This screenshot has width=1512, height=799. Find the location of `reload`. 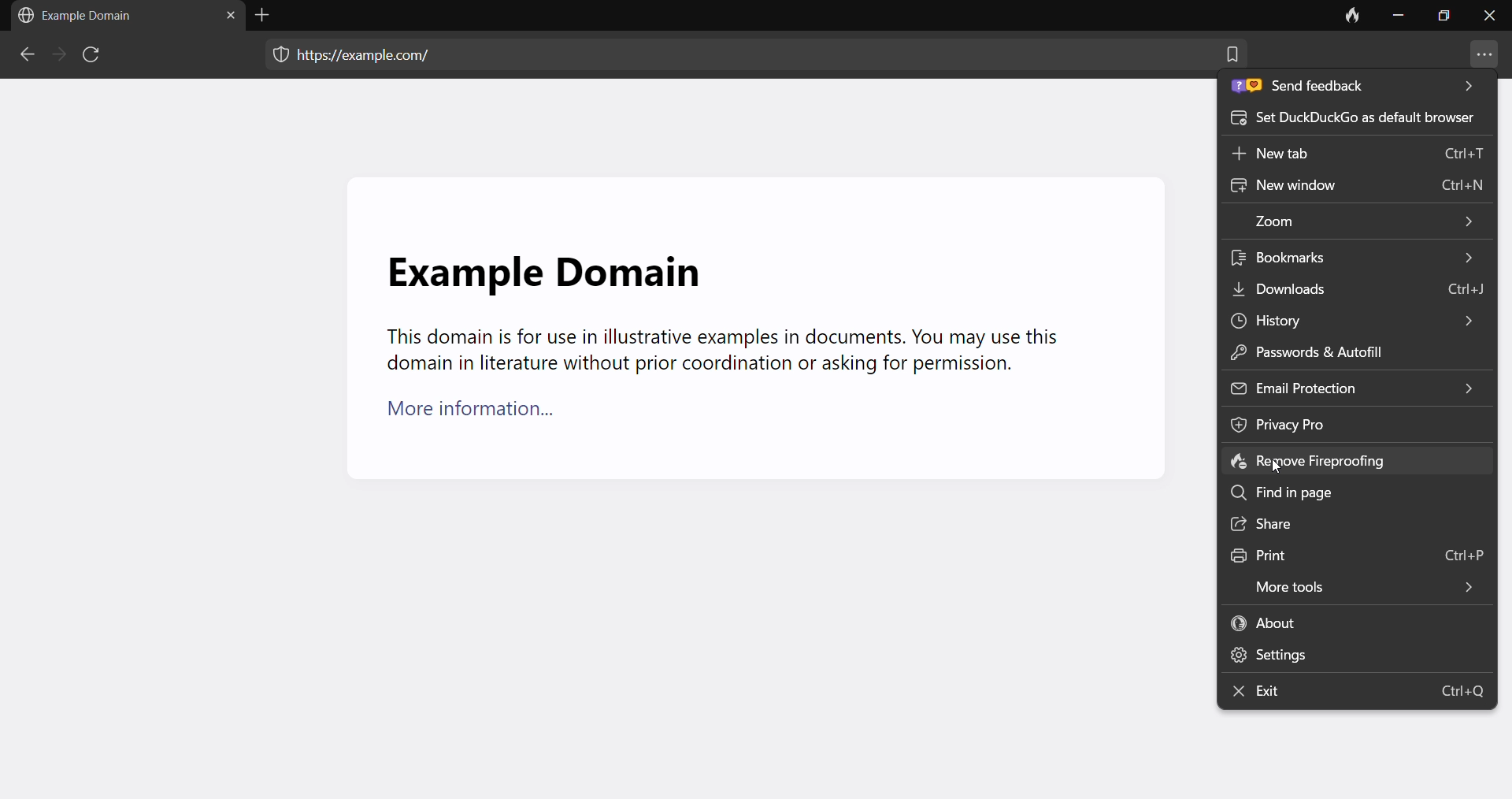

reload is located at coordinates (94, 58).